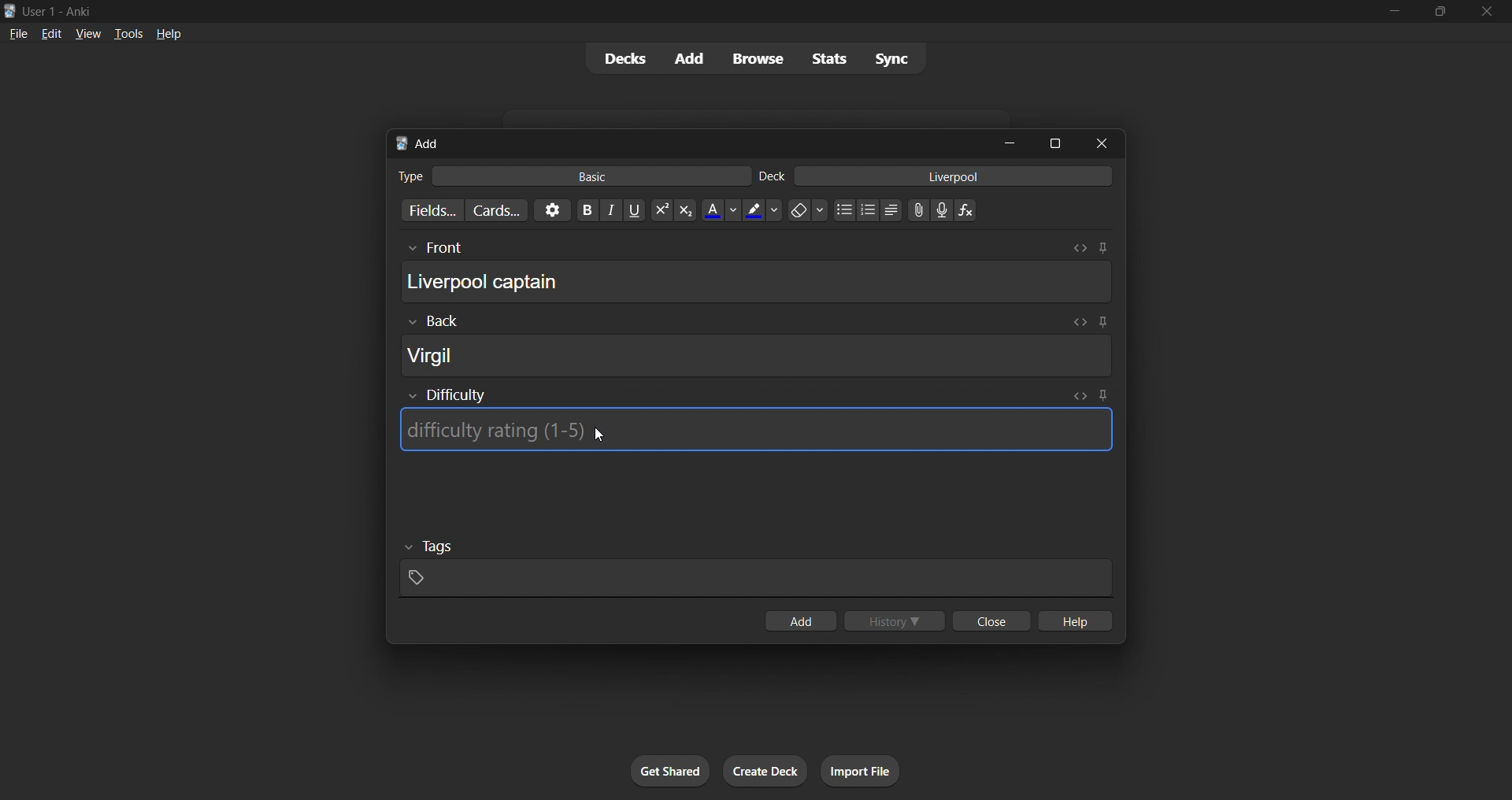 Image resolution: width=1512 pixels, height=800 pixels. What do you see at coordinates (691, 59) in the screenshot?
I see `add` at bounding box center [691, 59].